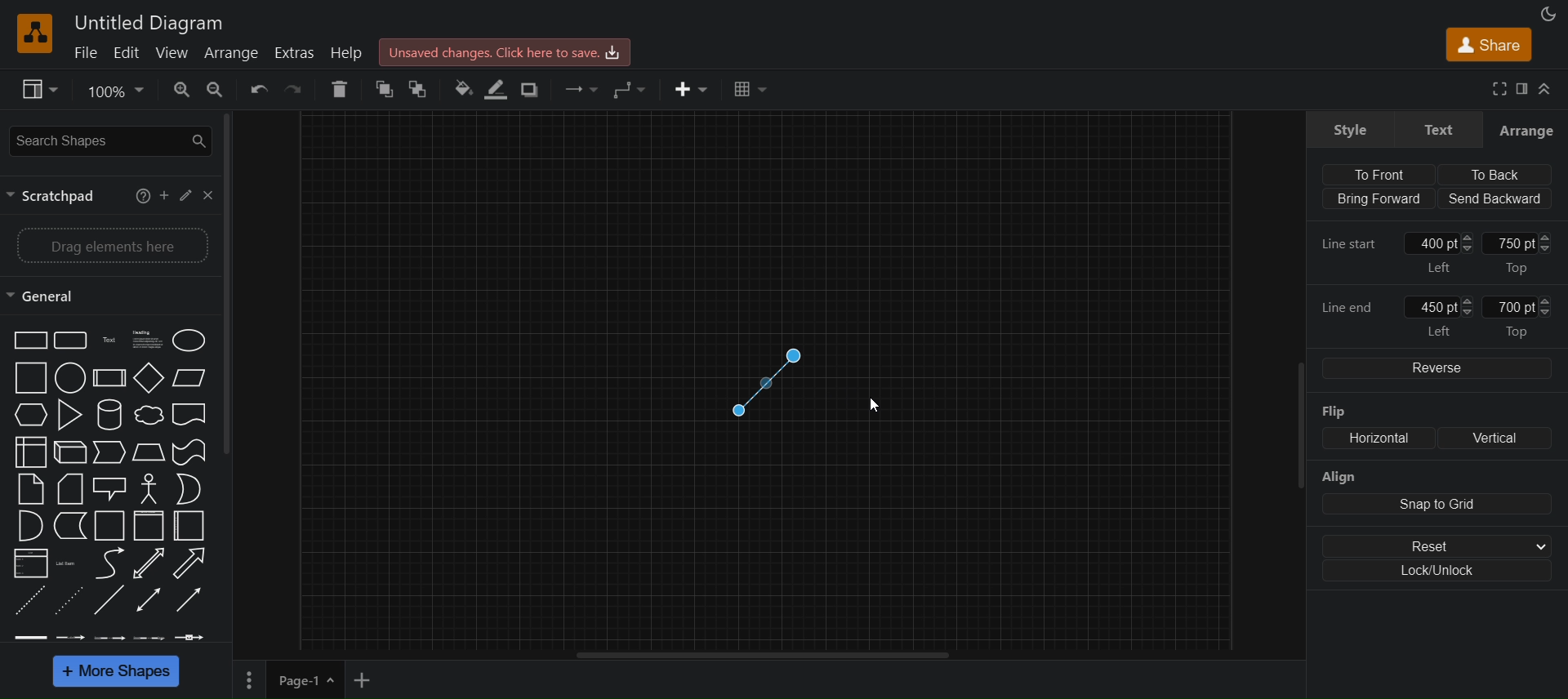 This screenshot has width=1568, height=699. What do you see at coordinates (144, 339) in the screenshot?
I see `Text box` at bounding box center [144, 339].